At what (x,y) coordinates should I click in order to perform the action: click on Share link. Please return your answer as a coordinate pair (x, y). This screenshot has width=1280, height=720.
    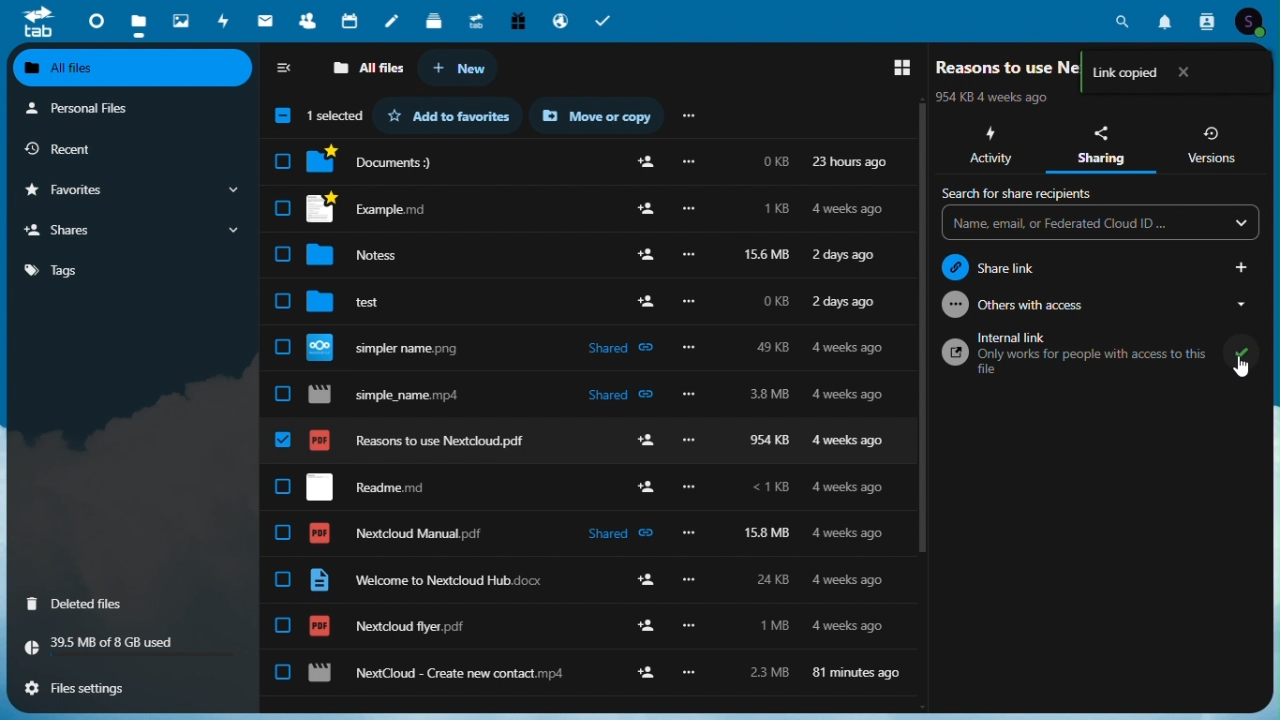
    Looking at the image, I should click on (1098, 266).